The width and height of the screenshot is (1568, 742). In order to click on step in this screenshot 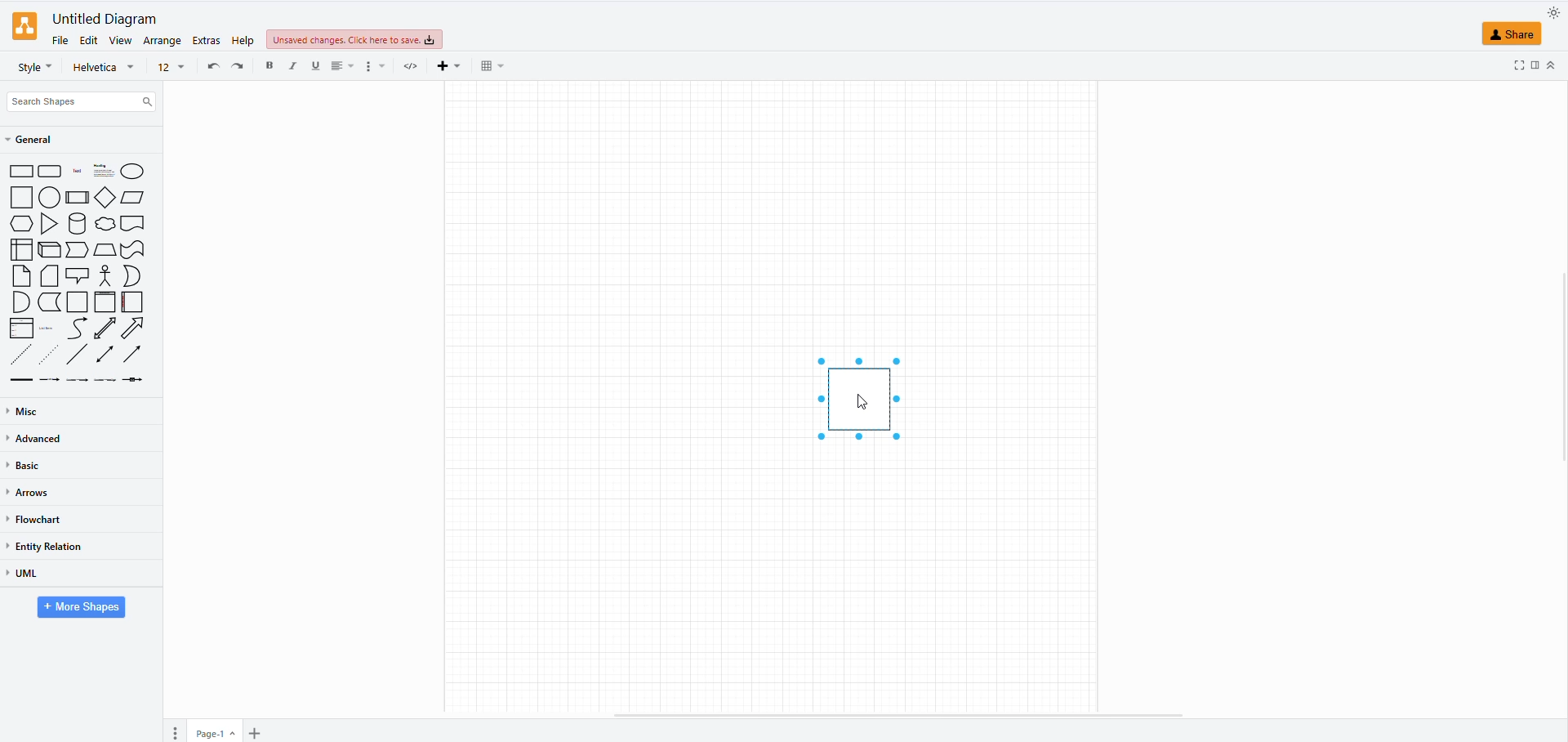, I will do `click(76, 251)`.